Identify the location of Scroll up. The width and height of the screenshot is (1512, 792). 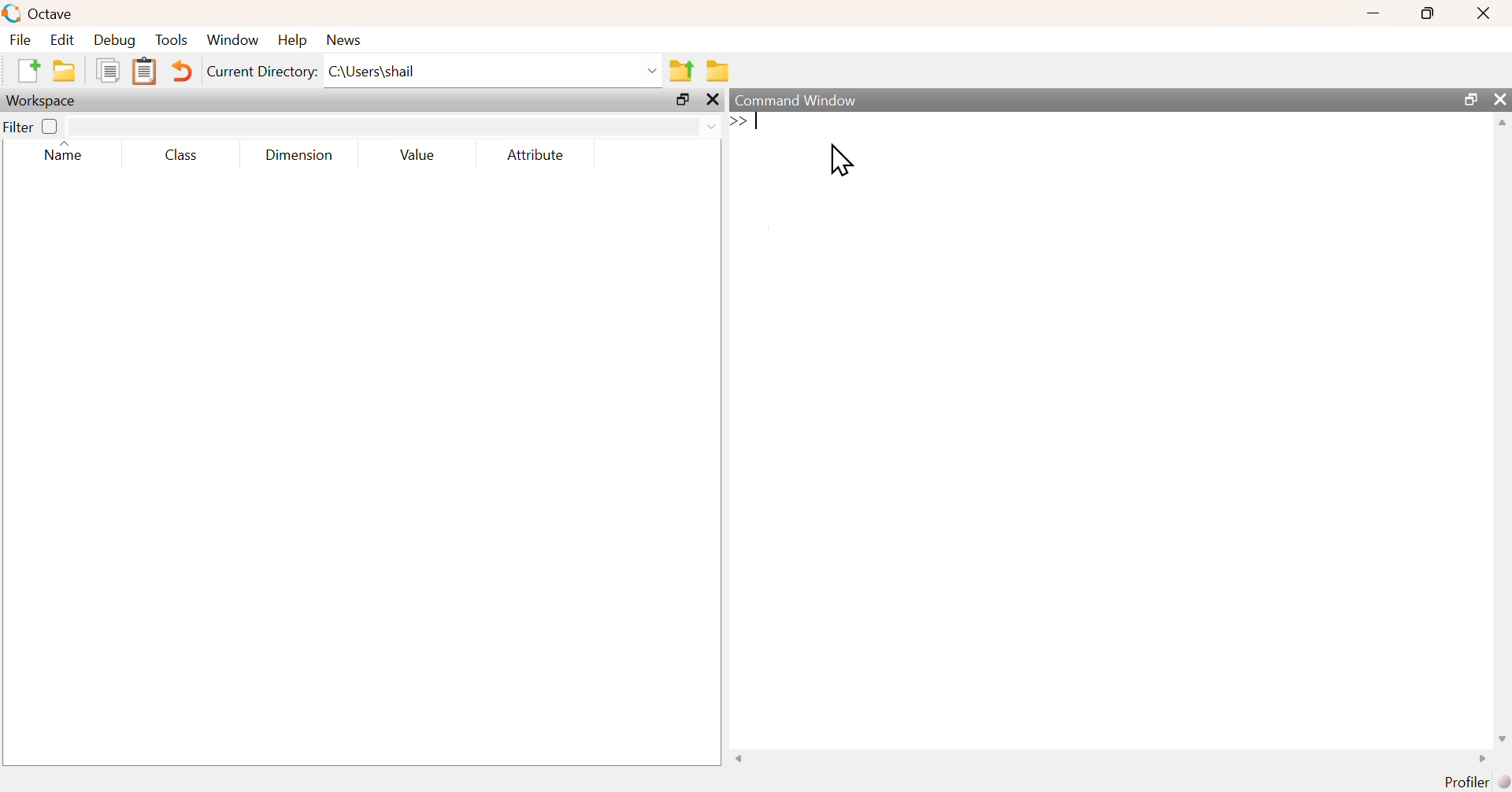
(1500, 123).